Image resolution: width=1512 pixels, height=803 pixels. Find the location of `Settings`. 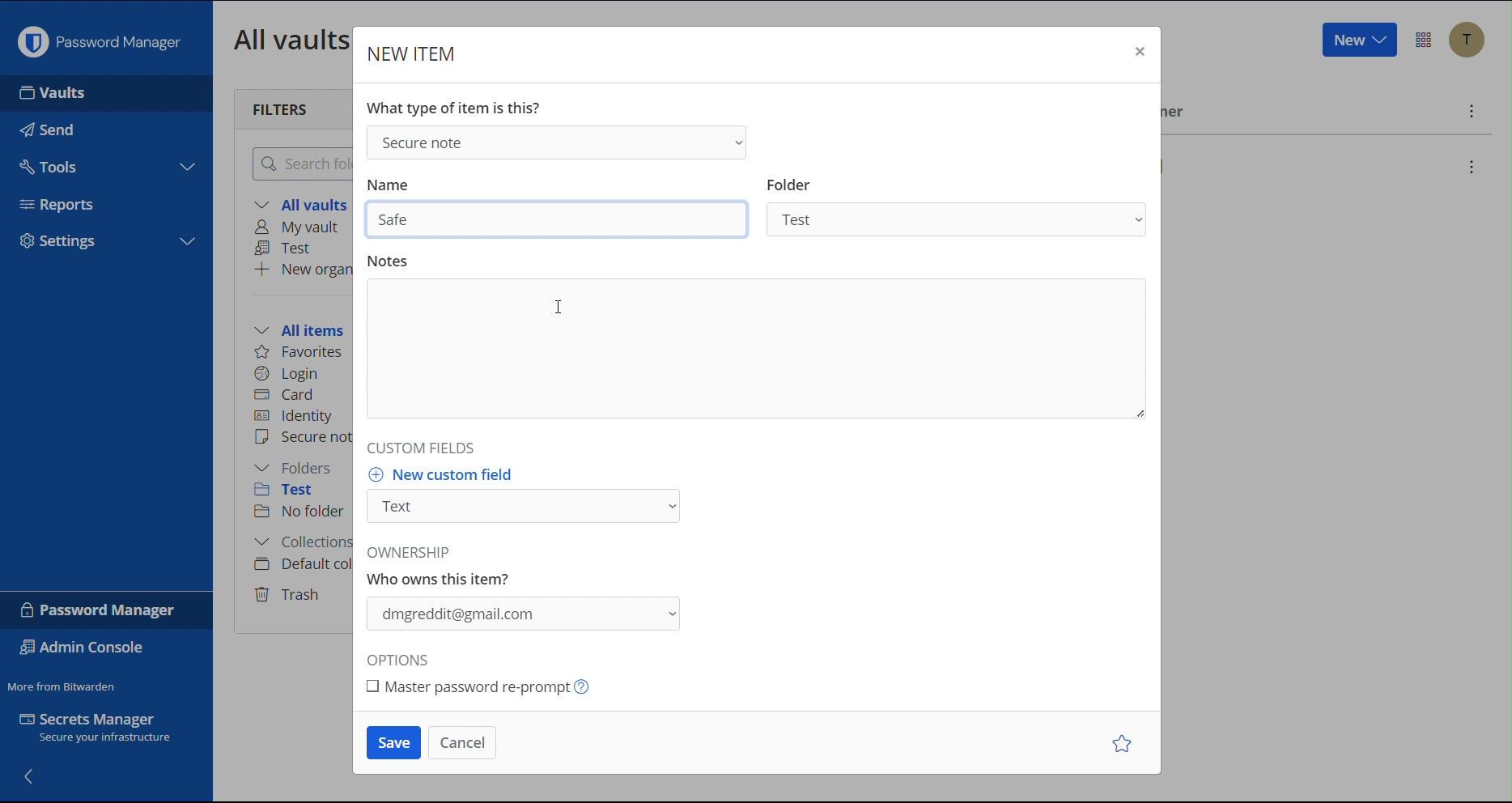

Settings is located at coordinates (107, 241).